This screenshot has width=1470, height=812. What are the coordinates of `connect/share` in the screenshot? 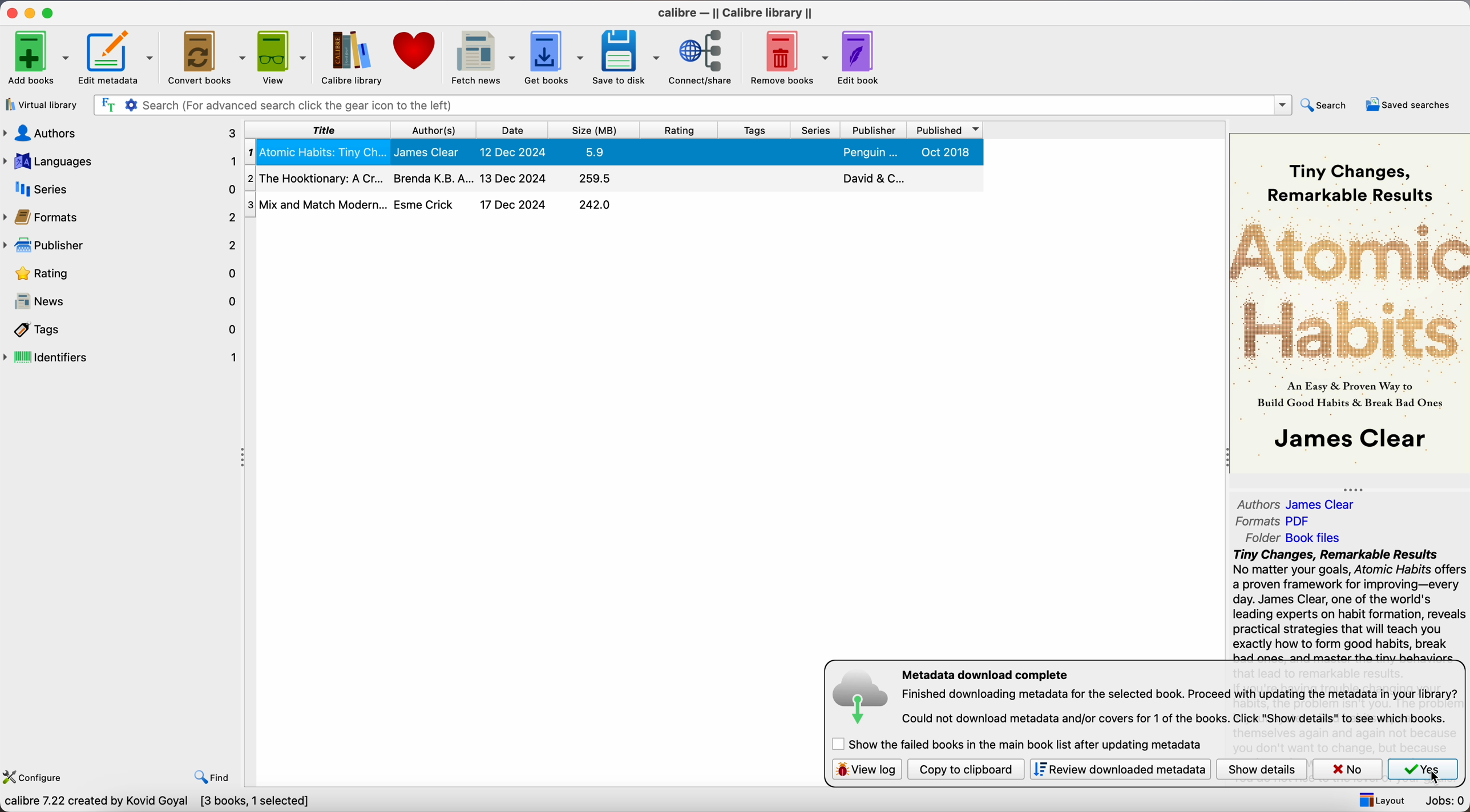 It's located at (705, 57).